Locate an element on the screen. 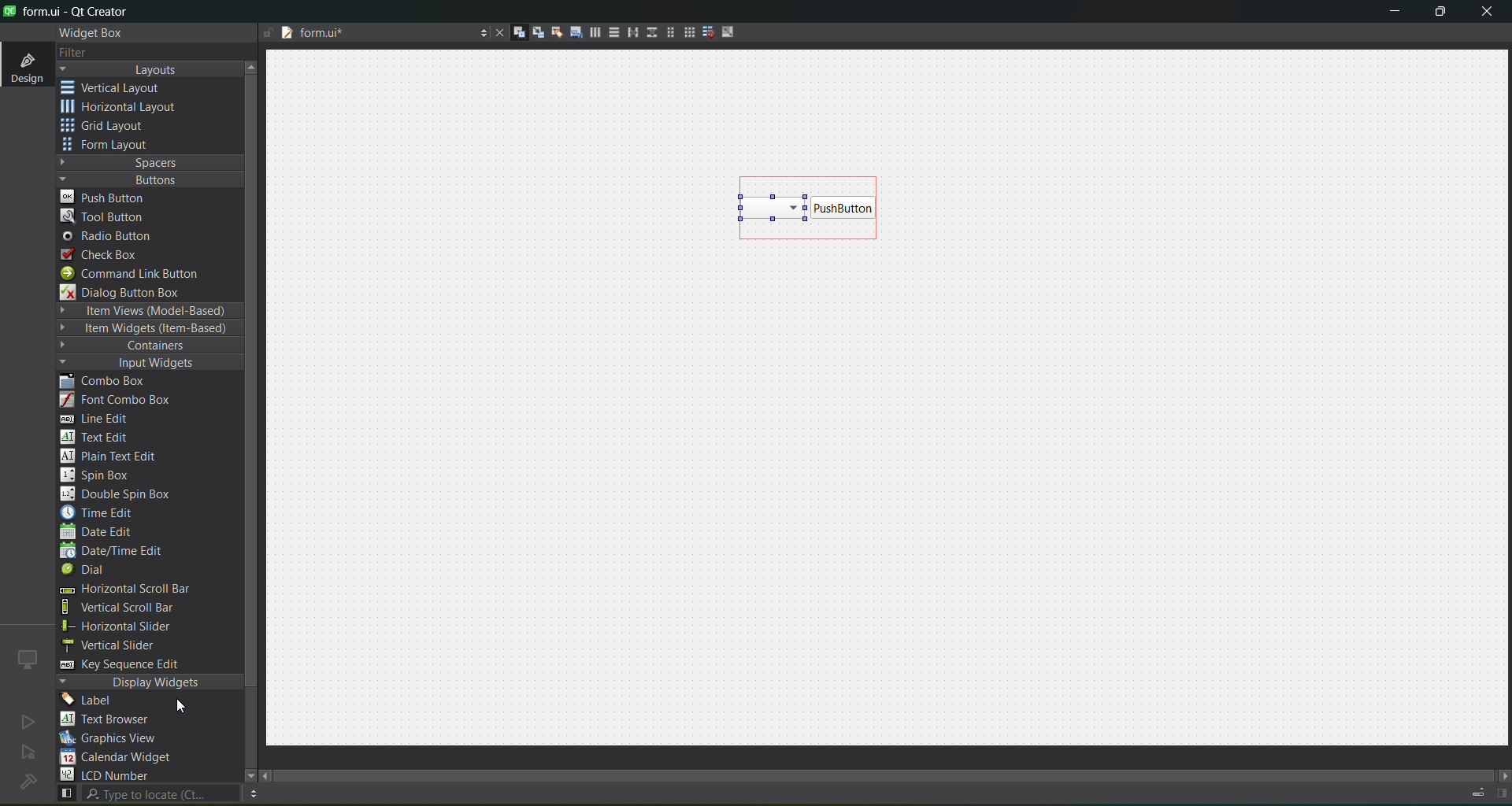 The image size is (1512, 806). spaces is located at coordinates (150, 162).